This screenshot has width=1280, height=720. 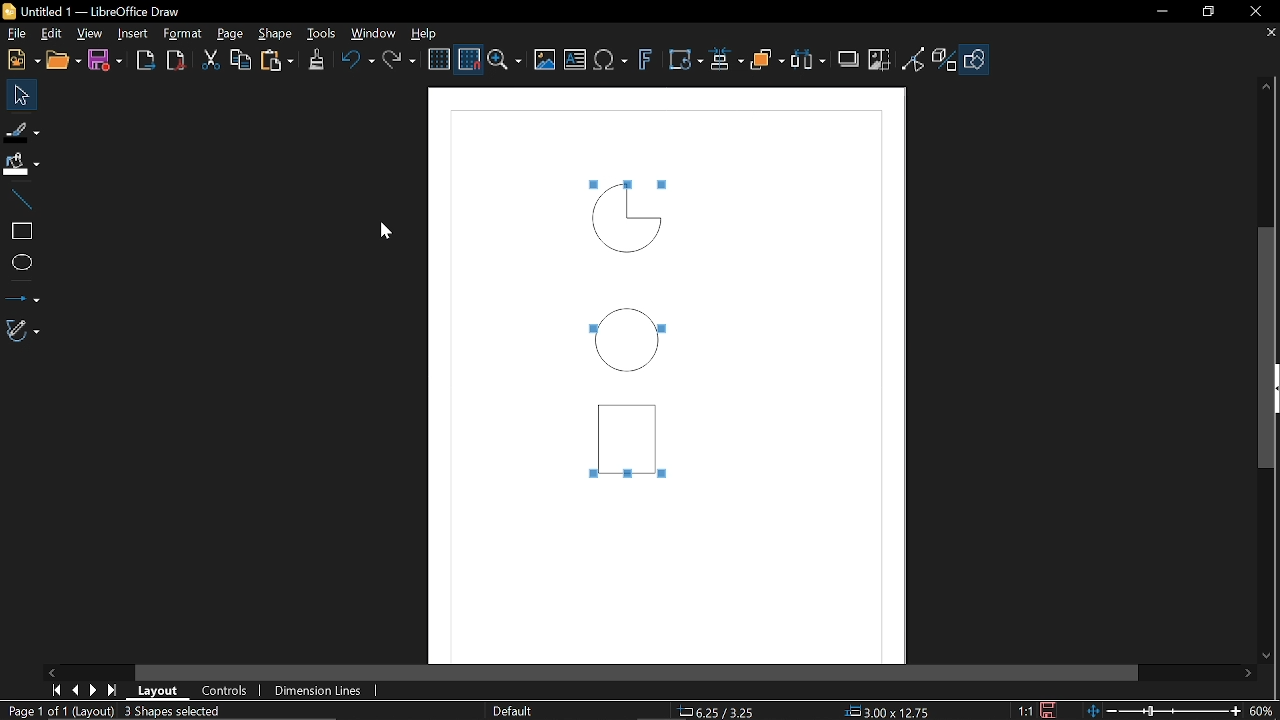 I want to click on Line, so click(x=18, y=195).